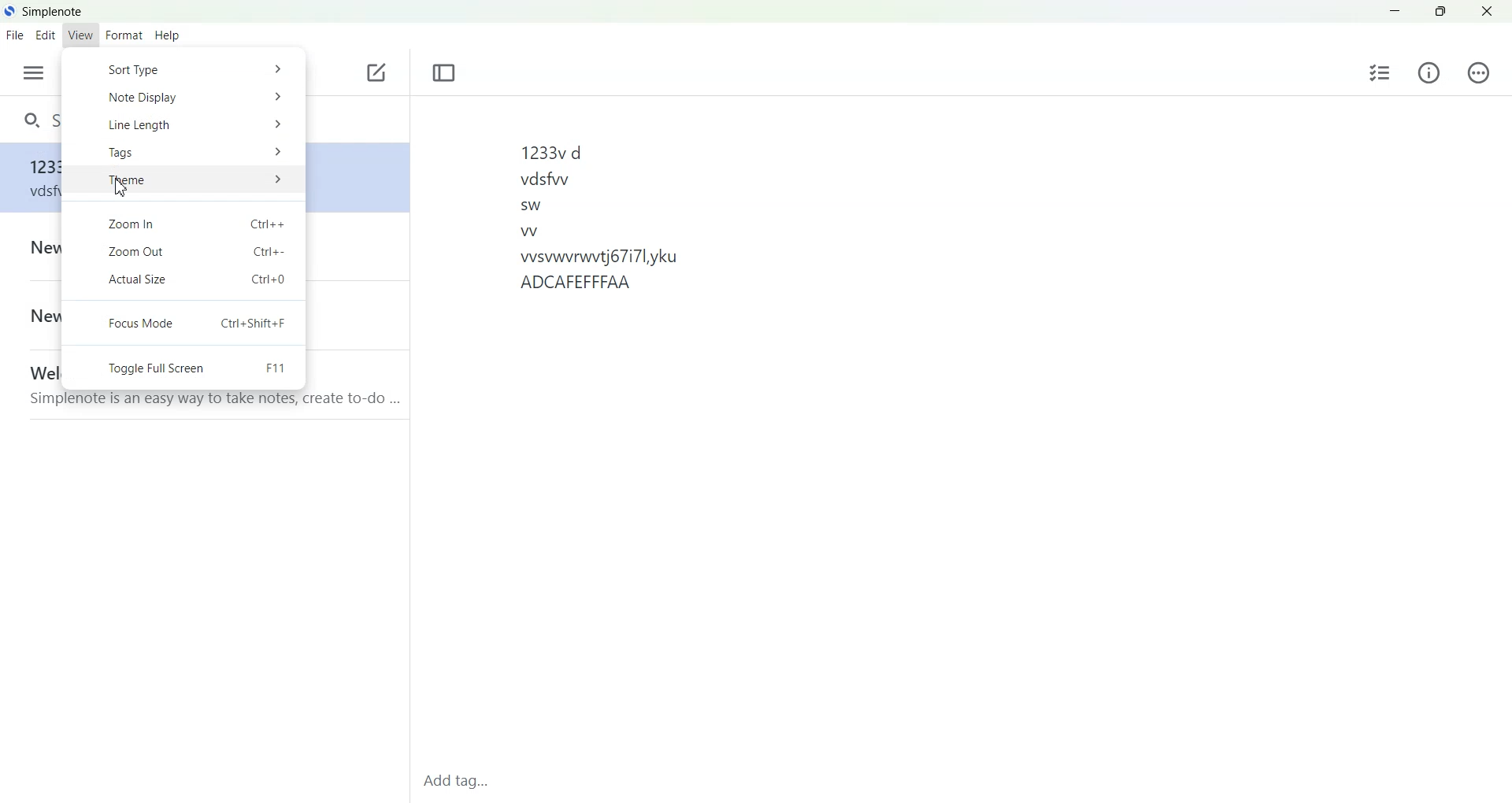  I want to click on Note File, so click(34, 381).